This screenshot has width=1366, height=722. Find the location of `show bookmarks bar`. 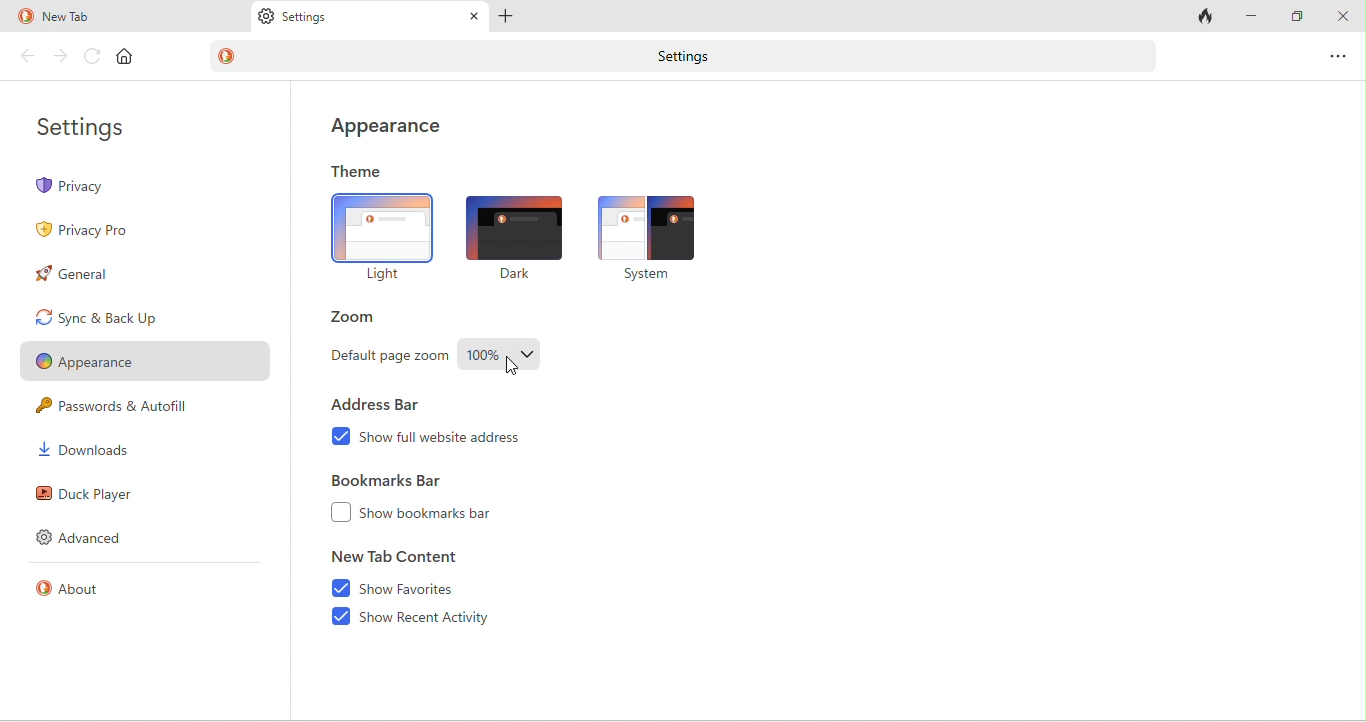

show bookmarks bar is located at coordinates (438, 513).